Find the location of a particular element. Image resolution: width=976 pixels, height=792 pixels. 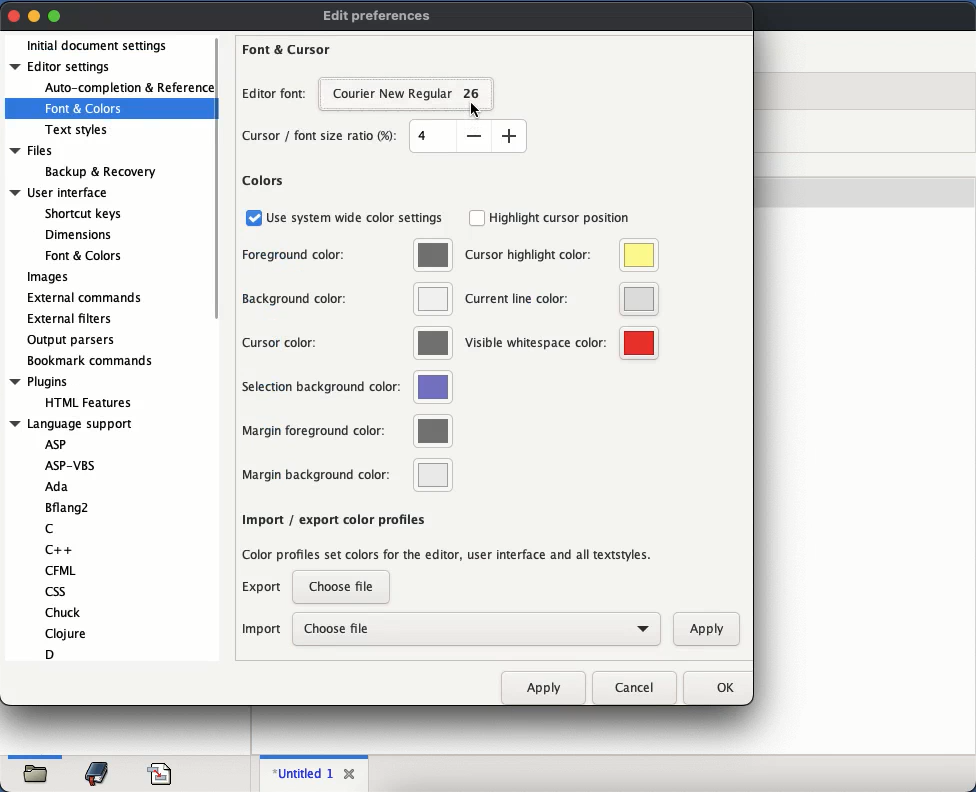

edit preferences is located at coordinates (378, 16).